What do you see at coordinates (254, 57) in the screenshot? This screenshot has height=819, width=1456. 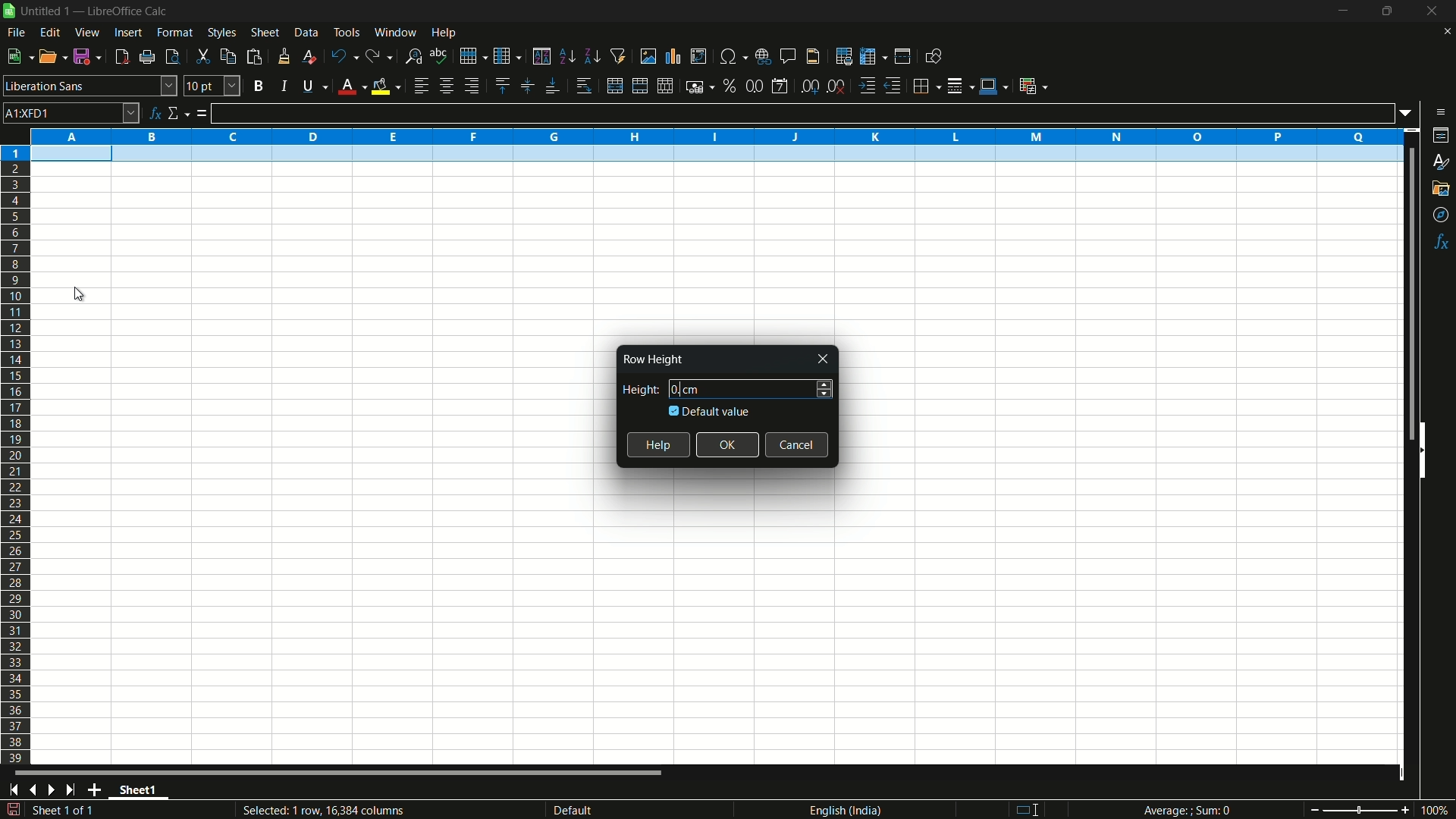 I see `paste` at bounding box center [254, 57].